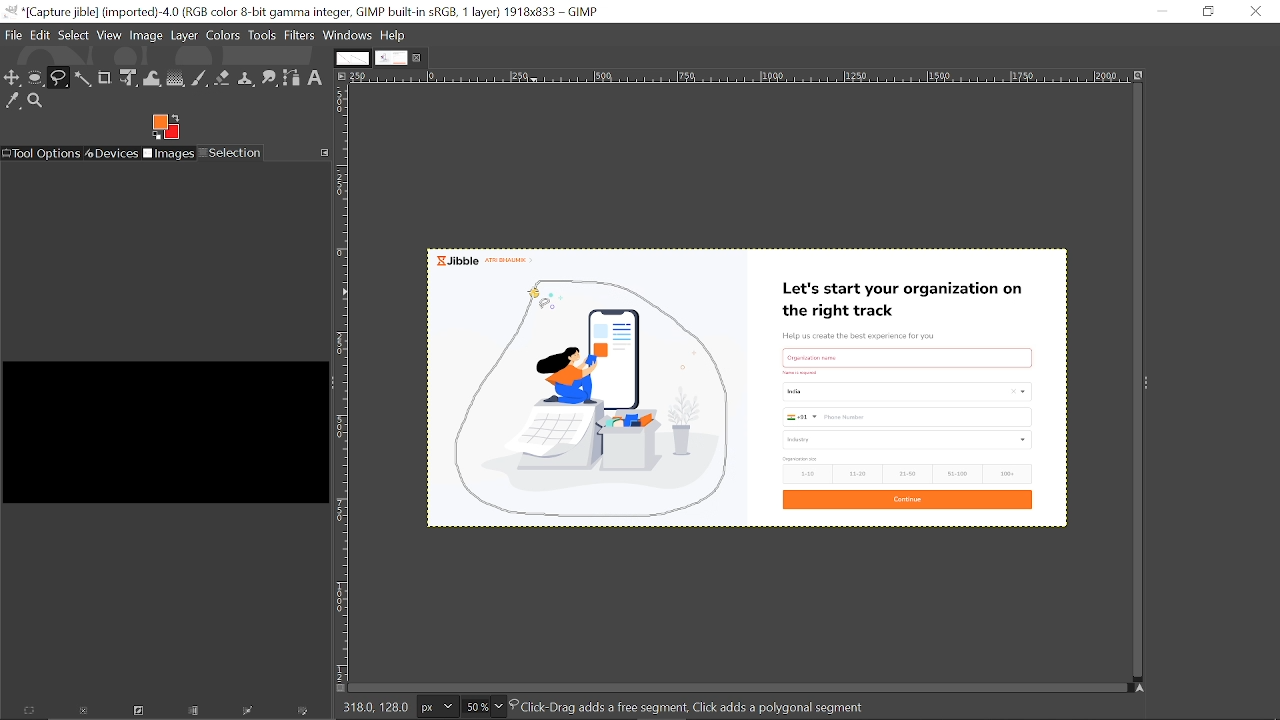 This screenshot has width=1280, height=720. Describe the element at coordinates (324, 153) in the screenshot. I see `Configure this tab` at that location.